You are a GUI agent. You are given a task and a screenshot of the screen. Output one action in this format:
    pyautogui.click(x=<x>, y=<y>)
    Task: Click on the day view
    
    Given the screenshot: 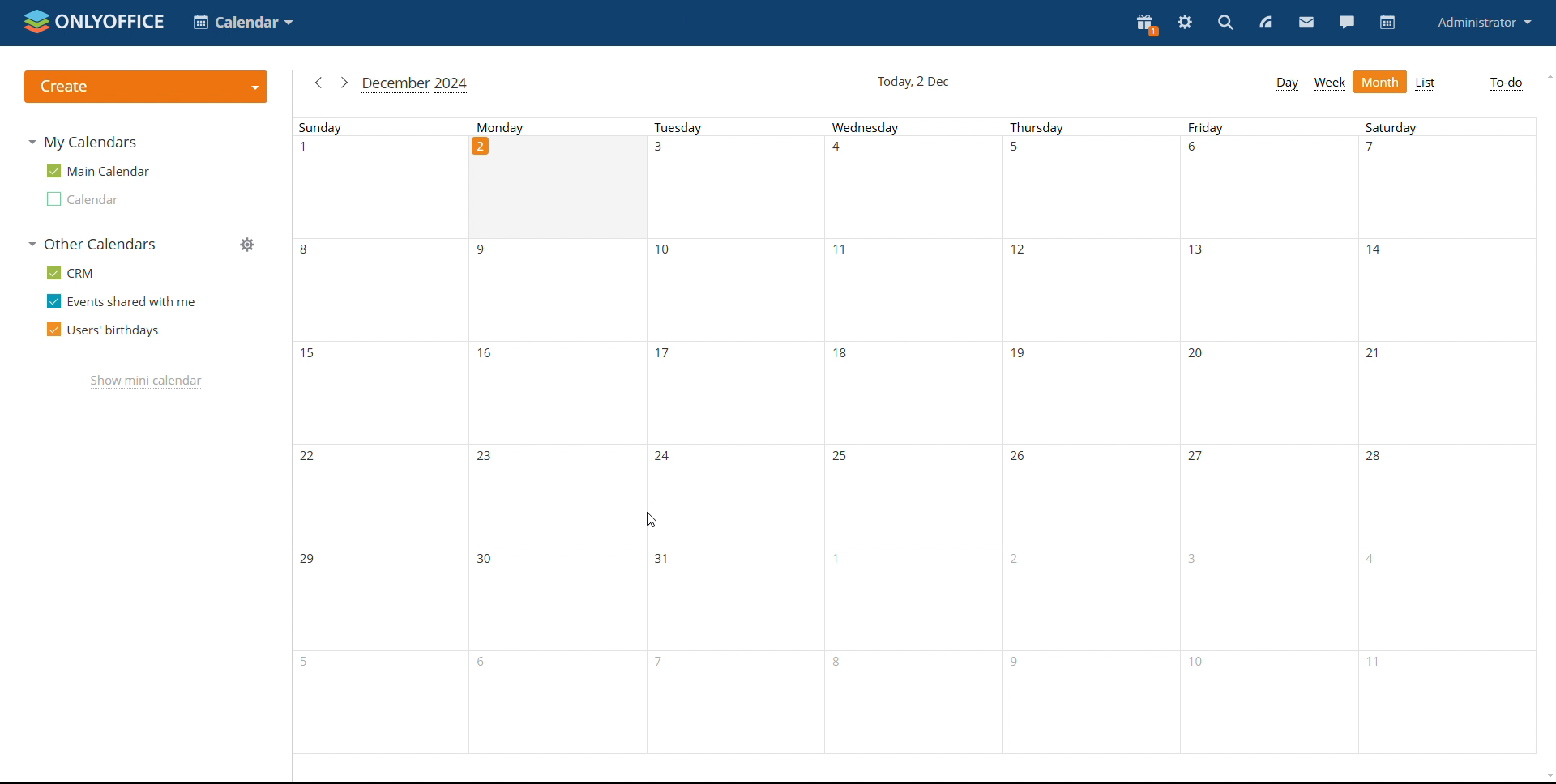 What is the action you would take?
    pyautogui.click(x=1287, y=83)
    